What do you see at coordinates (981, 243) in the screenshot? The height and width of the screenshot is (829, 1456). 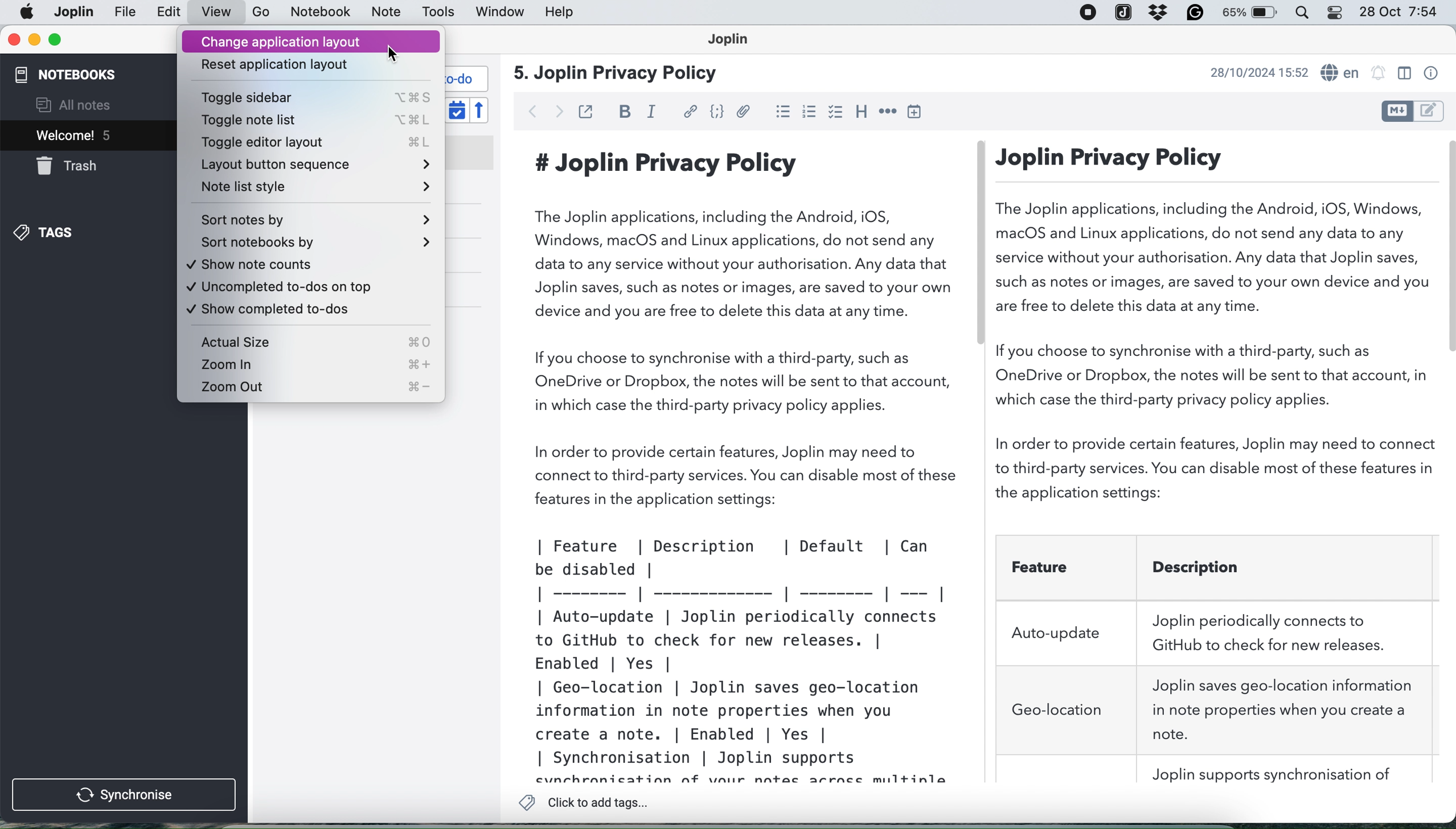 I see `vertical scroll bar` at bounding box center [981, 243].